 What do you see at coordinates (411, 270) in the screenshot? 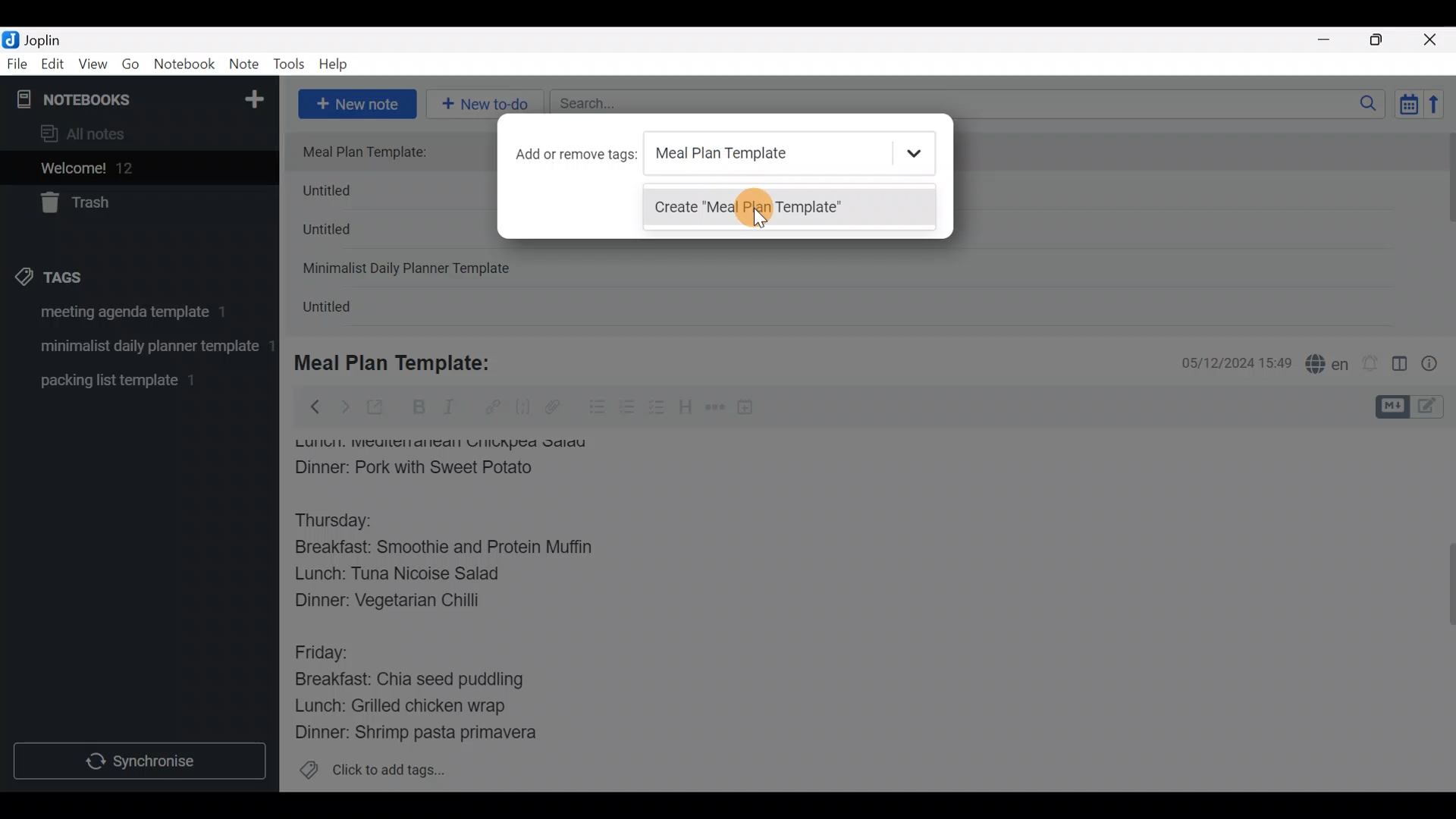
I see `Minimalist Daily Planner Template` at bounding box center [411, 270].